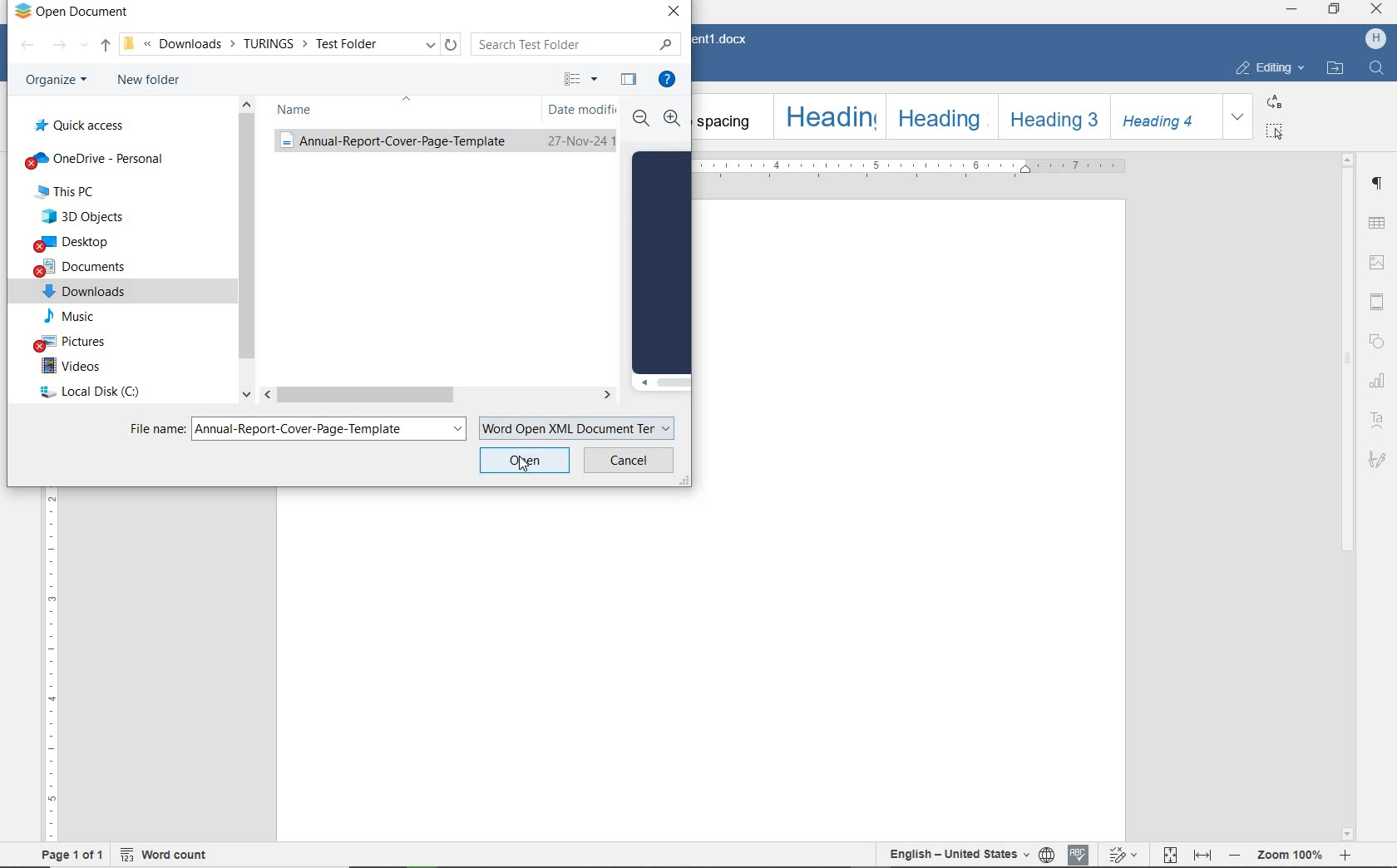  I want to click on videos, so click(68, 368).